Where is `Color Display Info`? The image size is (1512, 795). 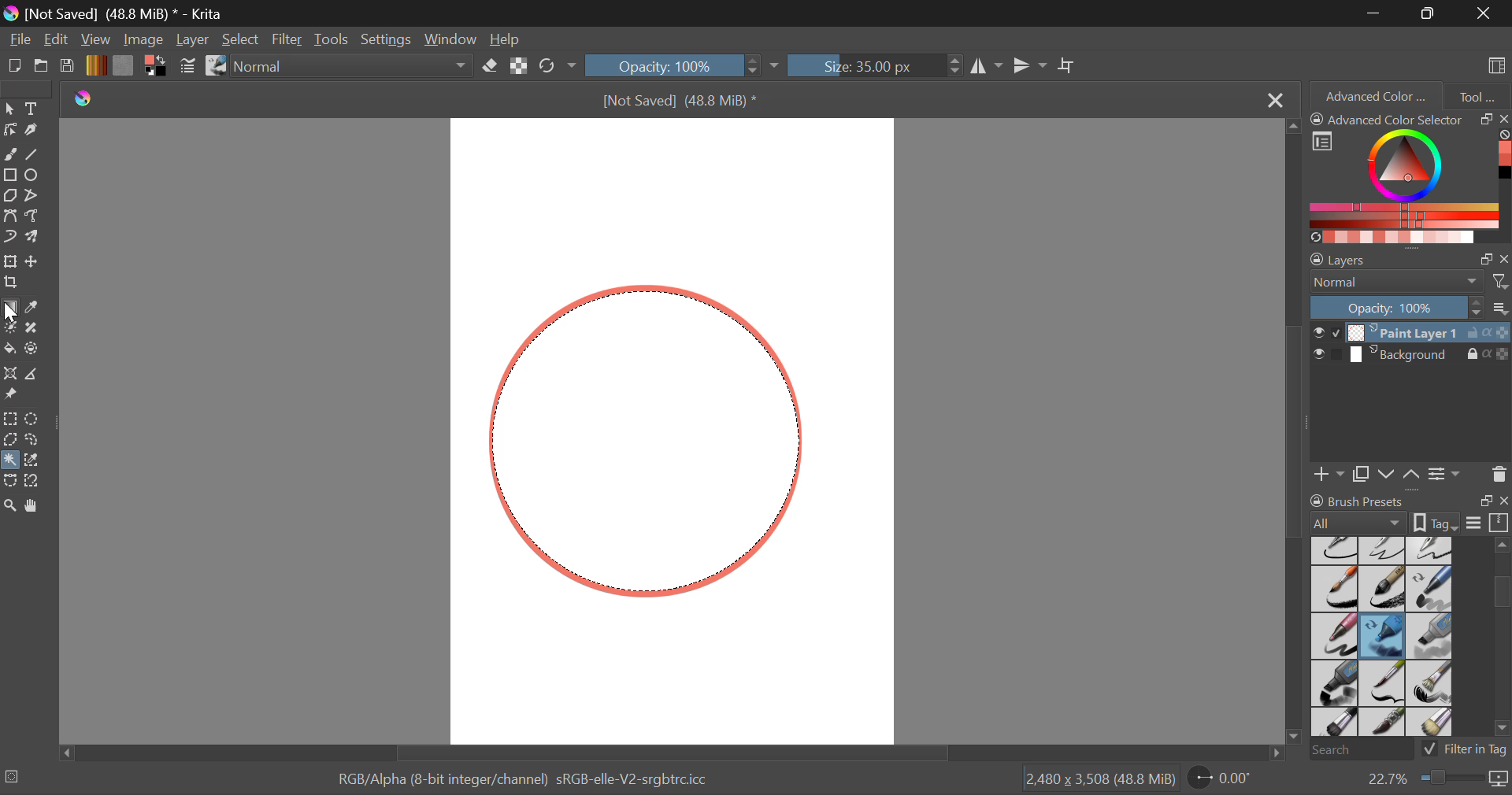 Color Display Info is located at coordinates (528, 782).